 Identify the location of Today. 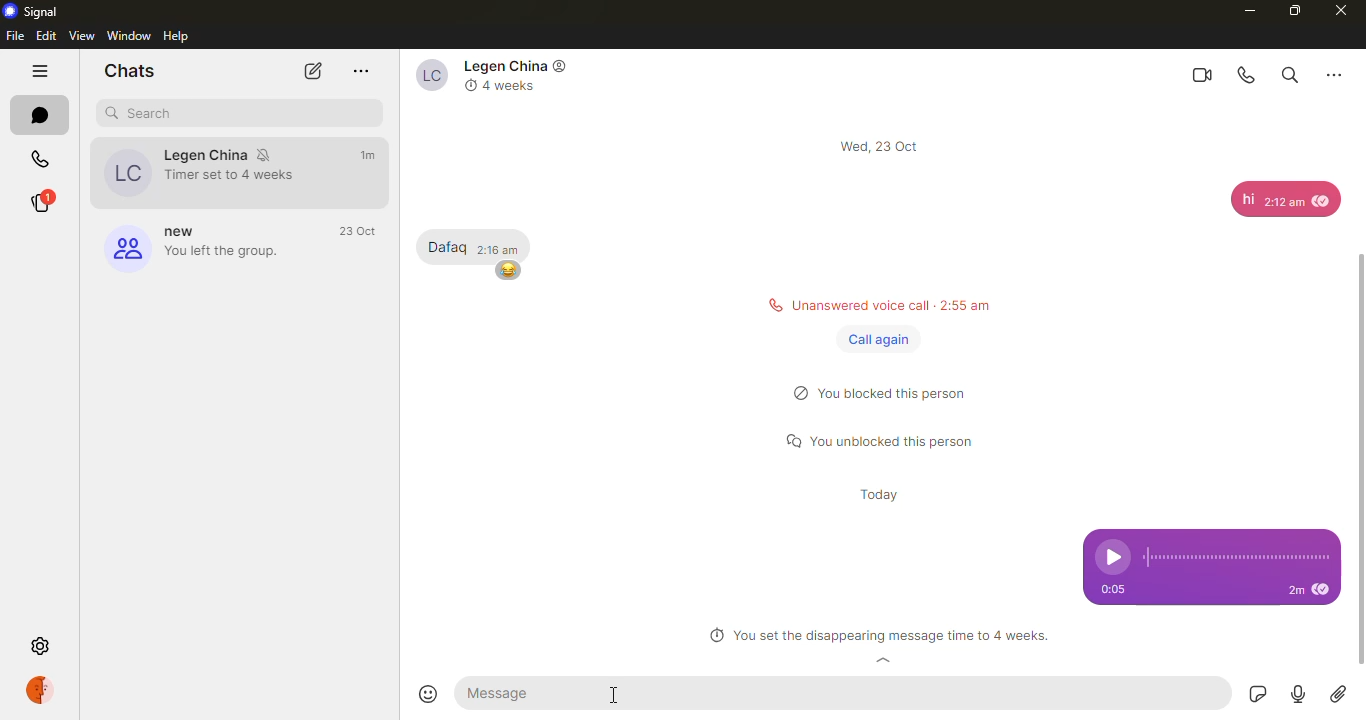
(882, 497).